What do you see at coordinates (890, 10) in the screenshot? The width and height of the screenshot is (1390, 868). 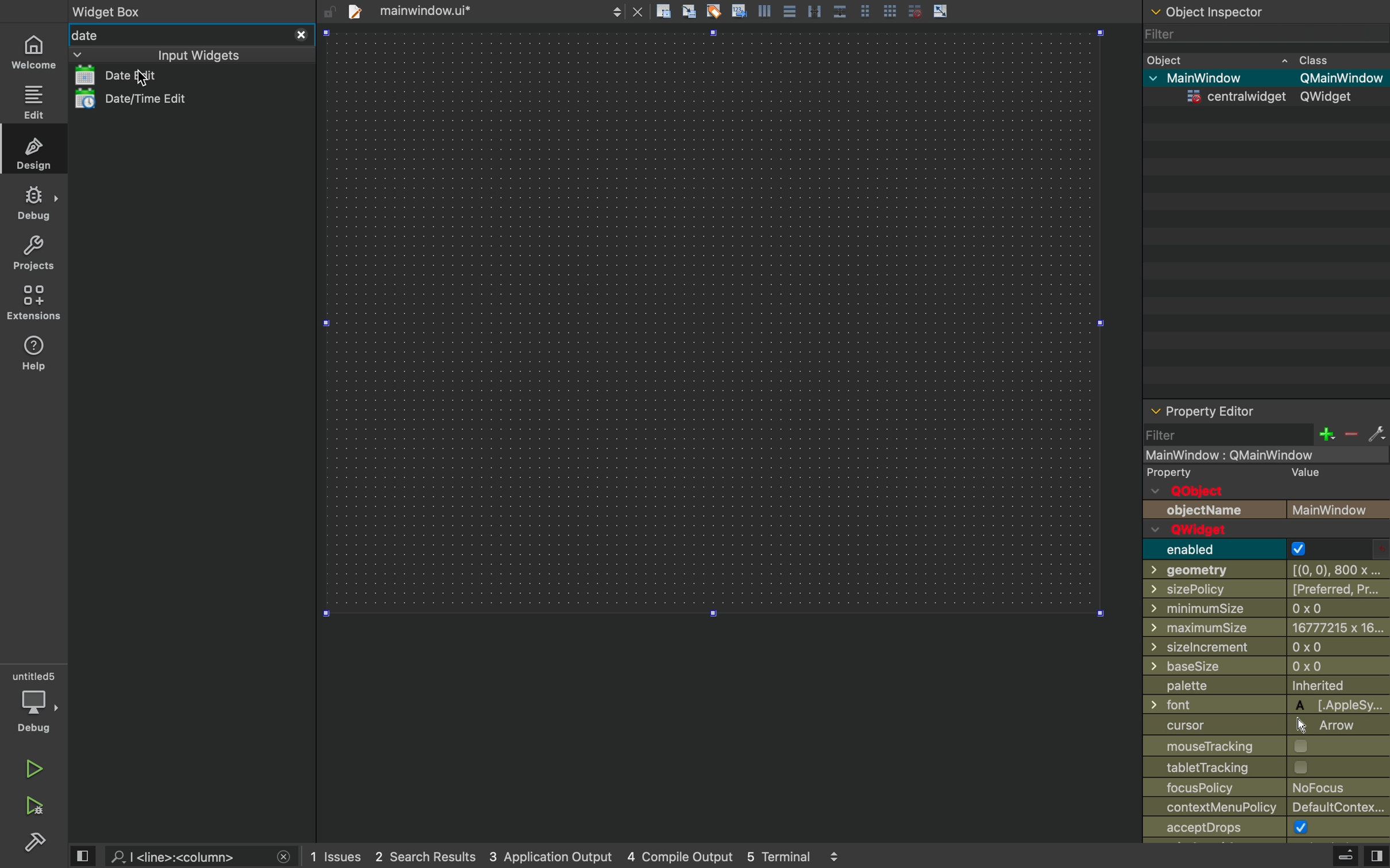 I see `grid view large` at bounding box center [890, 10].